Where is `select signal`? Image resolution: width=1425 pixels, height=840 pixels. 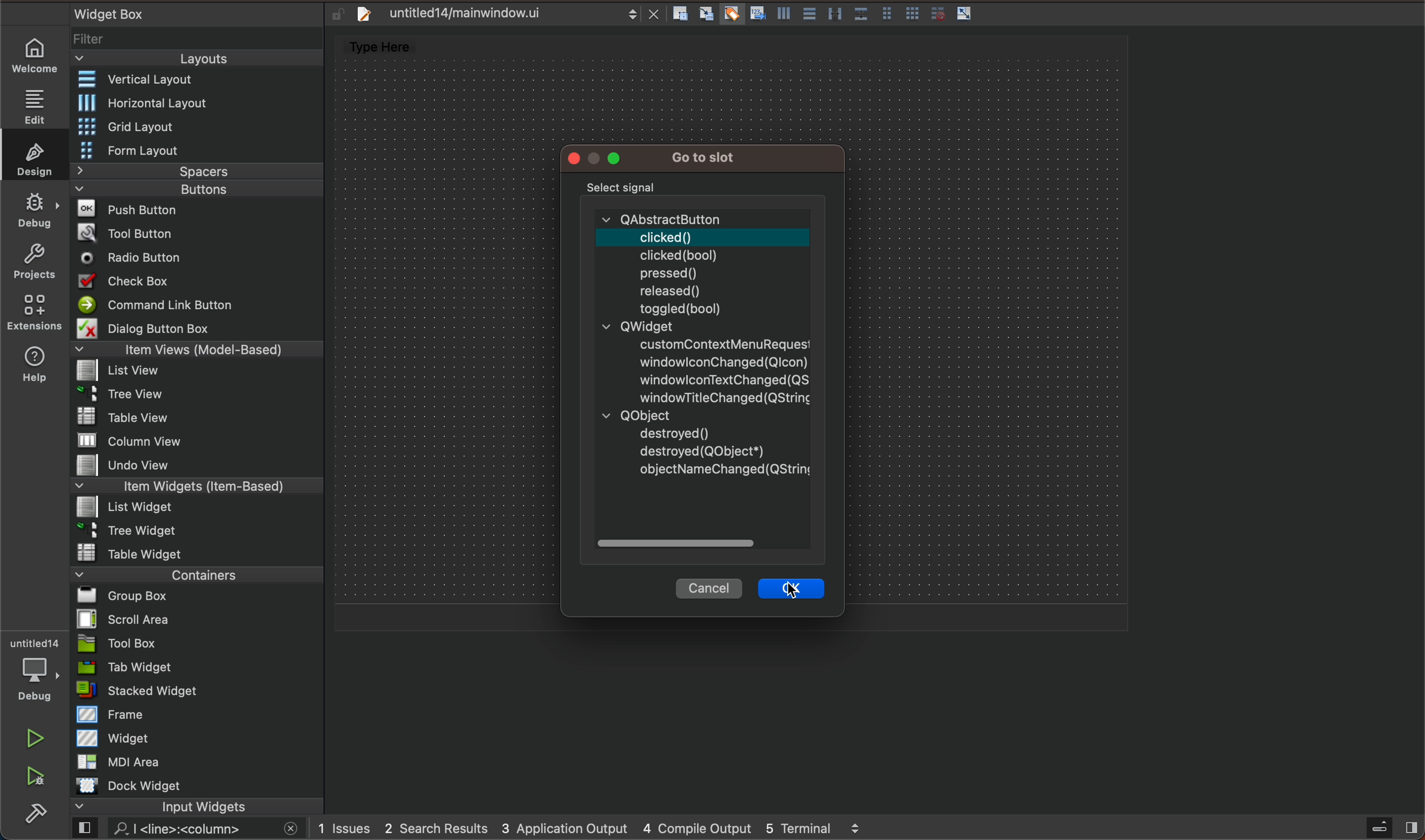
select signal is located at coordinates (636, 187).